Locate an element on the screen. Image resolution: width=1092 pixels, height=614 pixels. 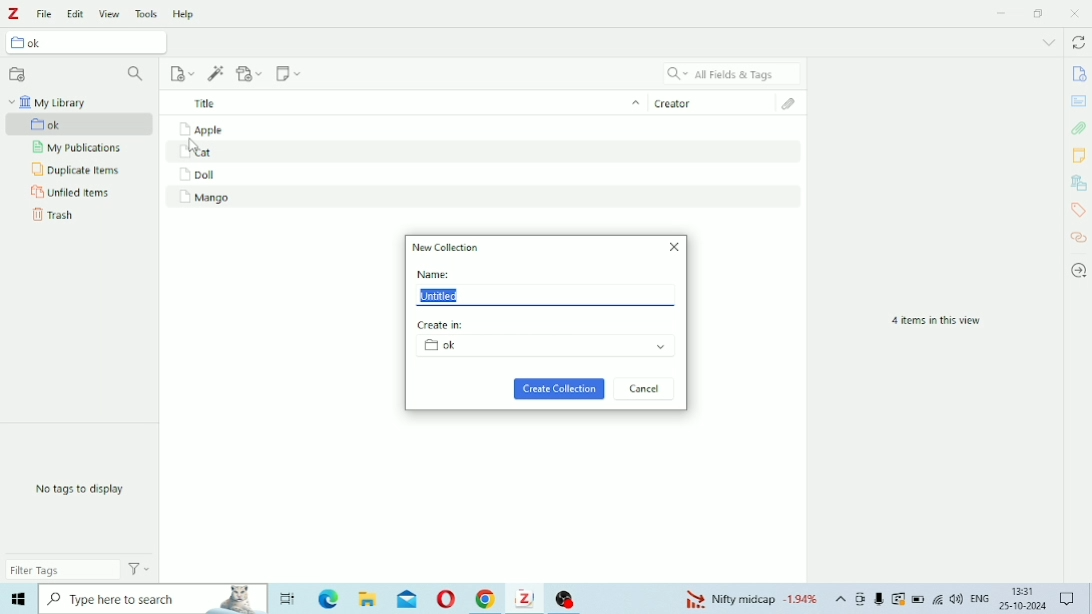
ok is located at coordinates (87, 41).